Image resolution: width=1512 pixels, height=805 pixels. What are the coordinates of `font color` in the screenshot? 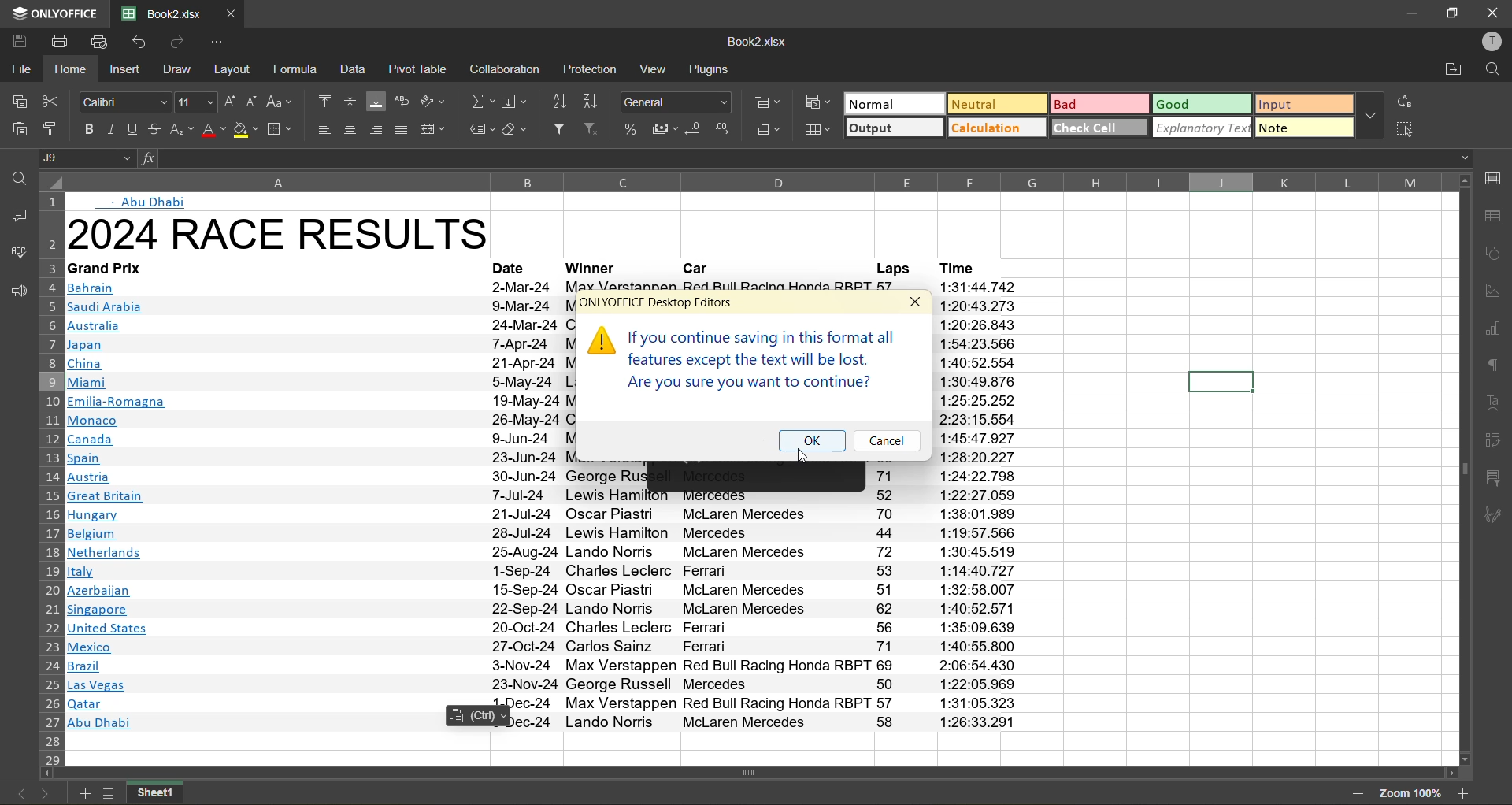 It's located at (217, 128).